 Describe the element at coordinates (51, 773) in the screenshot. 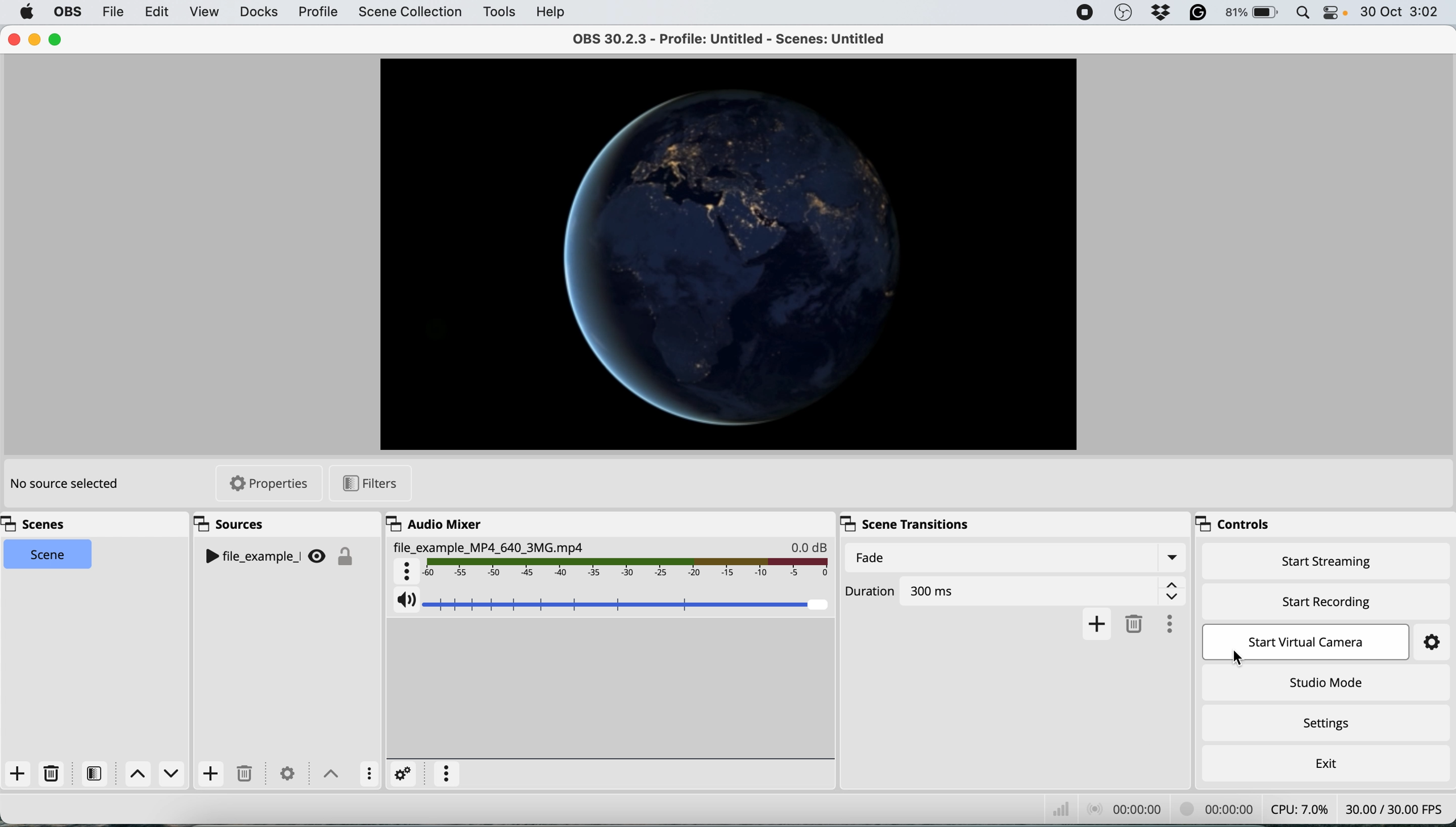

I see `delete scene` at that location.